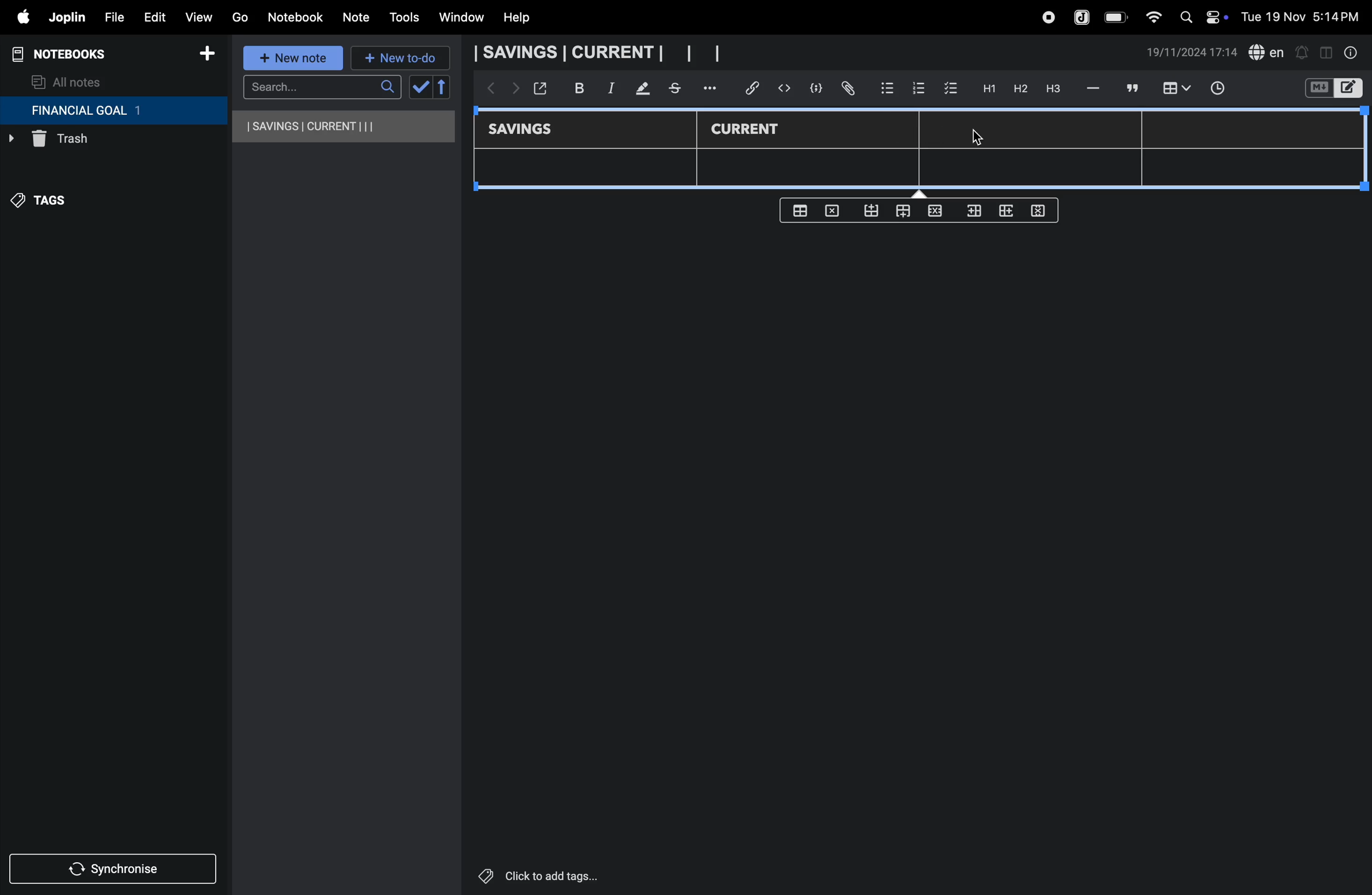 This screenshot has height=895, width=1372. What do you see at coordinates (525, 18) in the screenshot?
I see `help` at bounding box center [525, 18].